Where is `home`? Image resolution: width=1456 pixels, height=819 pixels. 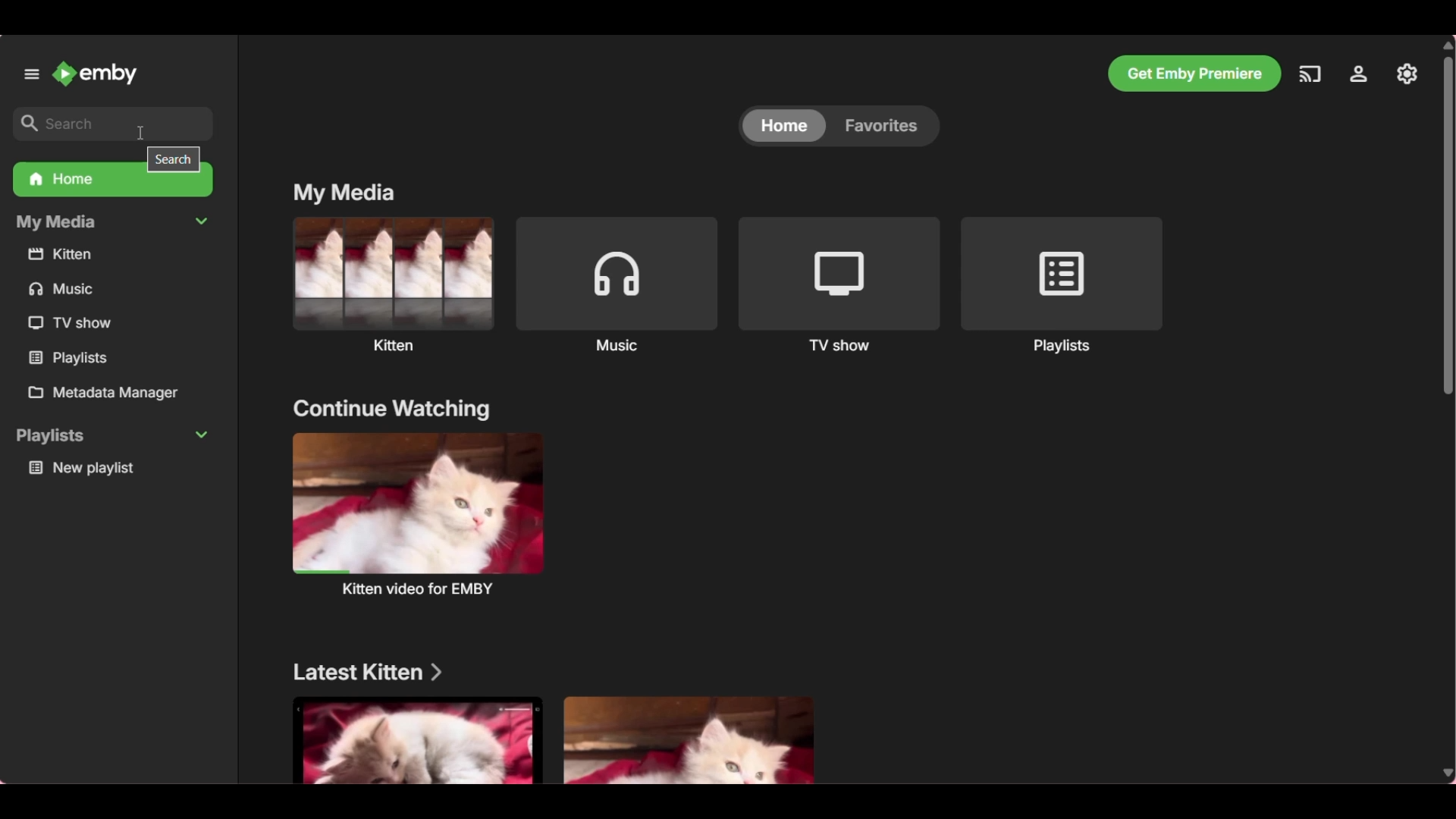 home is located at coordinates (783, 127).